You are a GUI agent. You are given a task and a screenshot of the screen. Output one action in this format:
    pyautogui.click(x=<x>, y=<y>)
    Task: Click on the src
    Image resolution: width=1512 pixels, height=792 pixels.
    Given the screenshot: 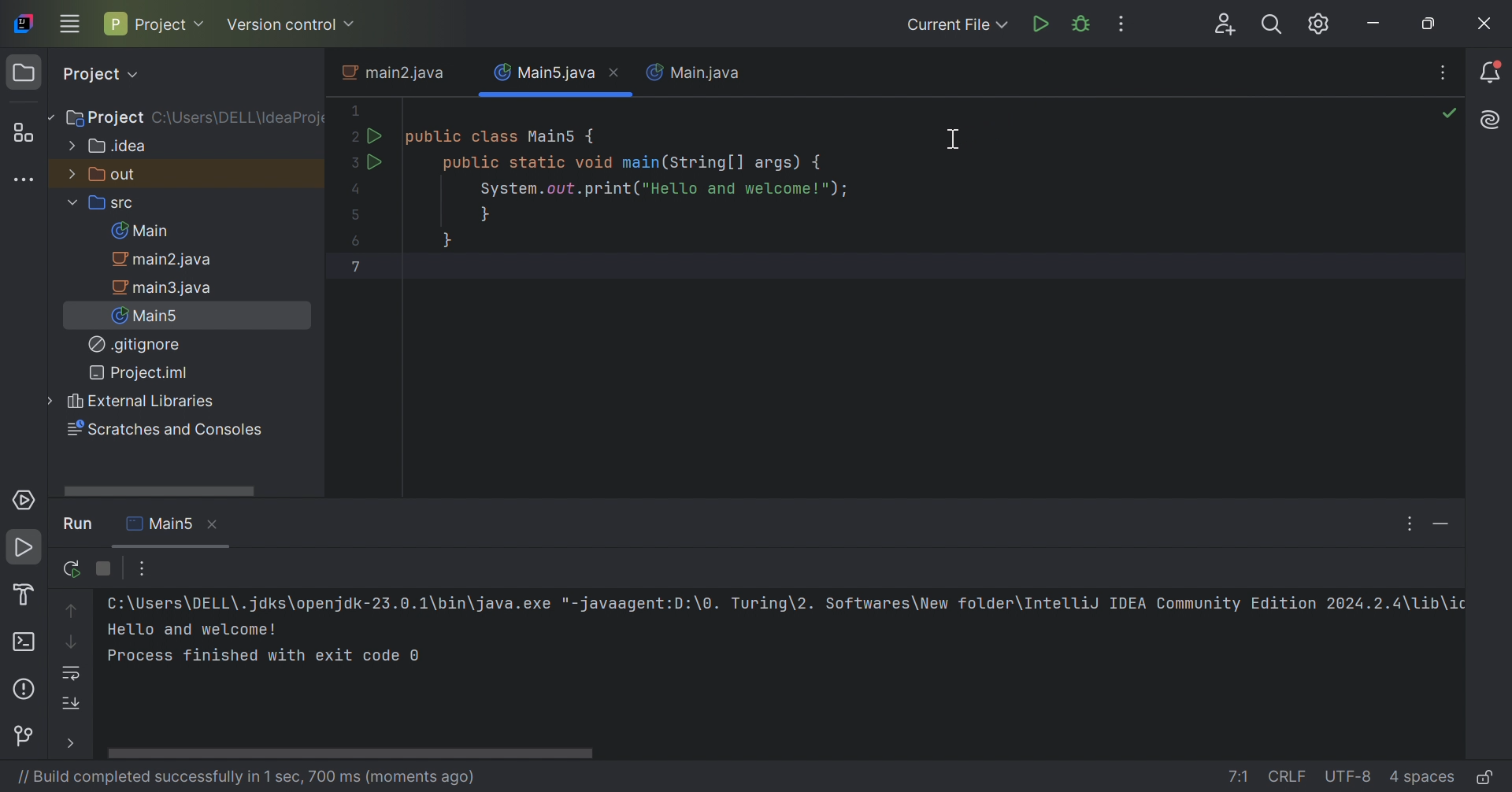 What is the action you would take?
    pyautogui.click(x=109, y=205)
    